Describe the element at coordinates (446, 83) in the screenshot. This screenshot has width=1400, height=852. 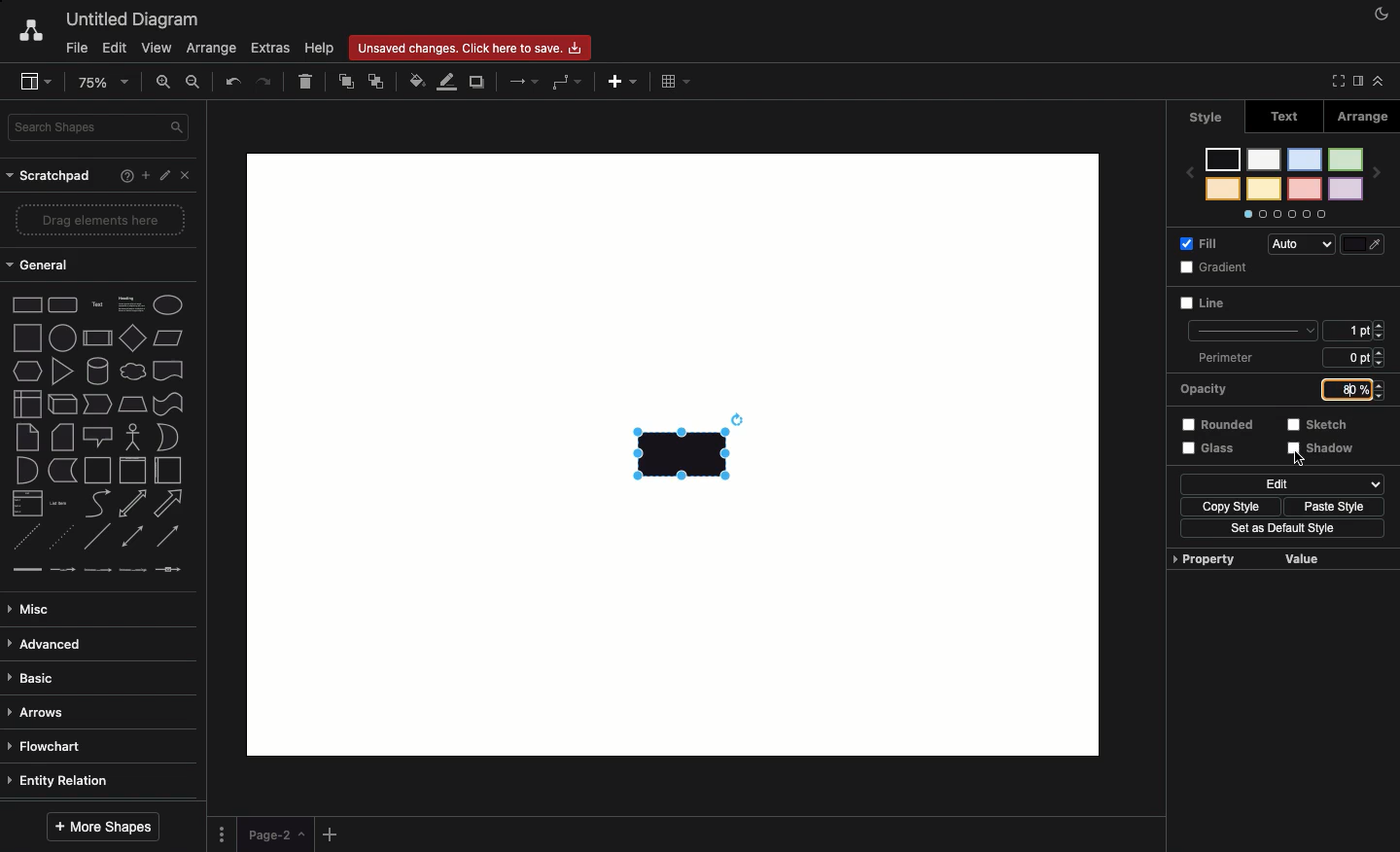
I see `Line color` at that location.